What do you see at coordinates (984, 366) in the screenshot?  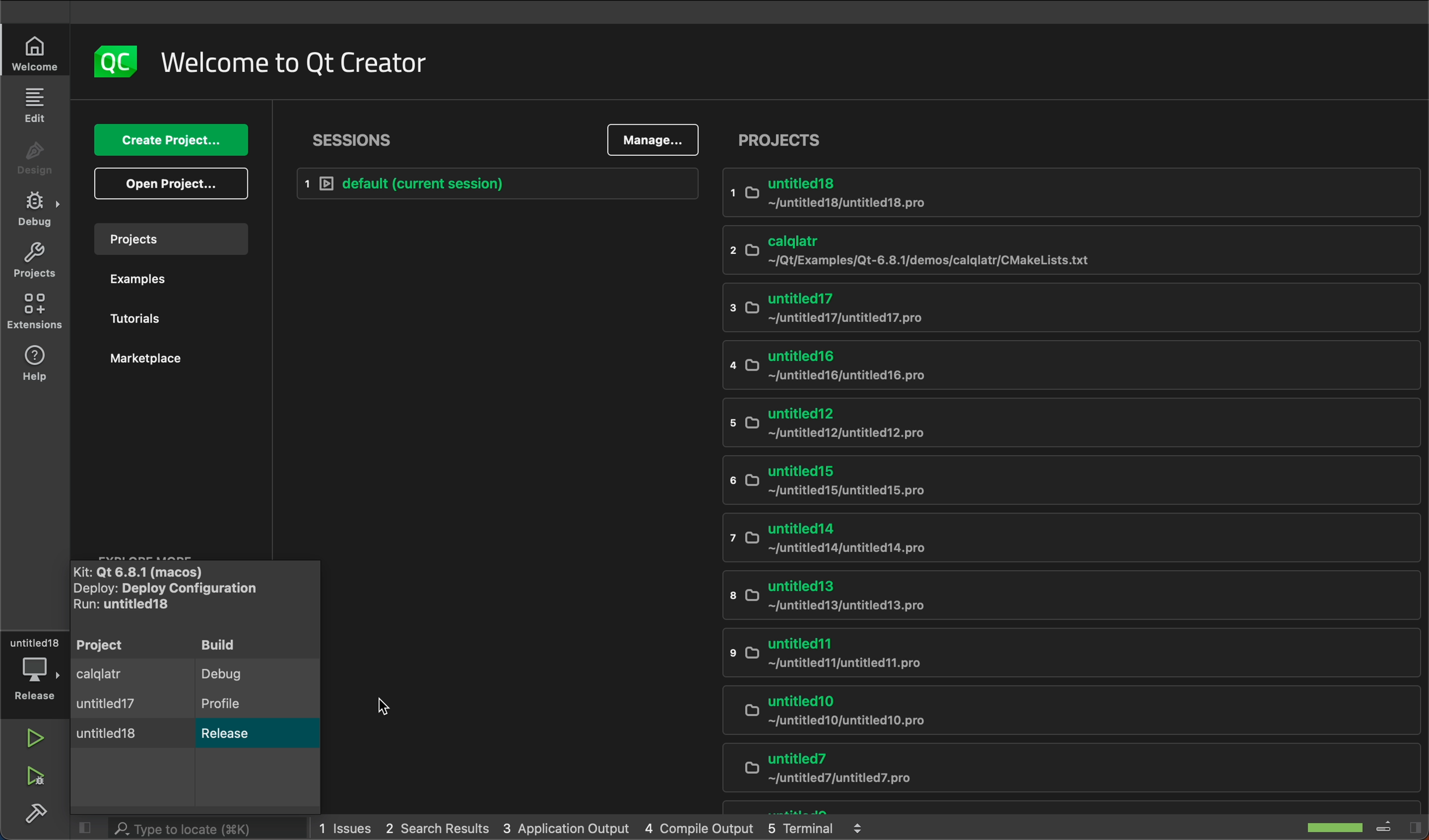 I see `untitled 16` at bounding box center [984, 366].